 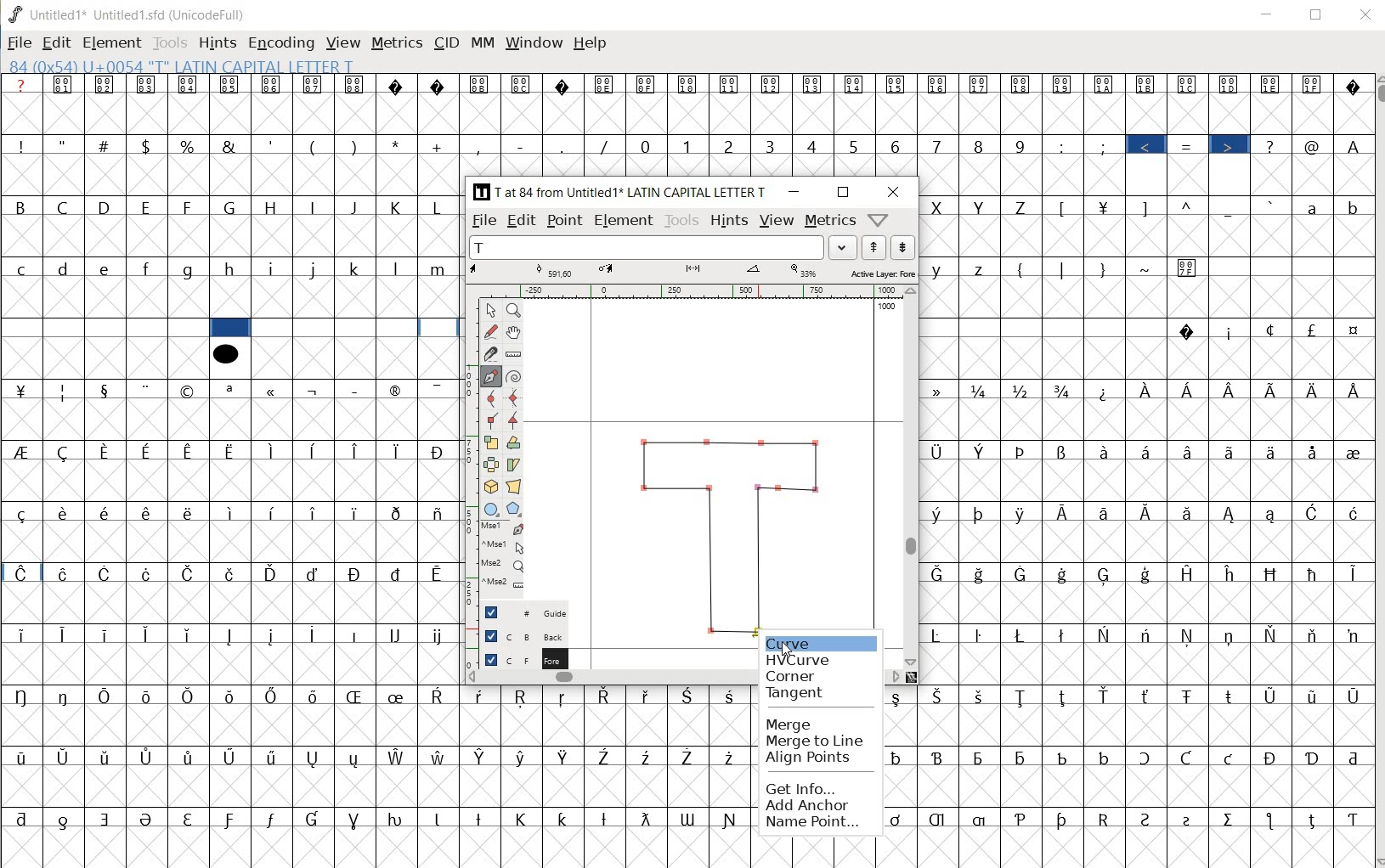 I want to click on Symbol, so click(x=1274, y=515).